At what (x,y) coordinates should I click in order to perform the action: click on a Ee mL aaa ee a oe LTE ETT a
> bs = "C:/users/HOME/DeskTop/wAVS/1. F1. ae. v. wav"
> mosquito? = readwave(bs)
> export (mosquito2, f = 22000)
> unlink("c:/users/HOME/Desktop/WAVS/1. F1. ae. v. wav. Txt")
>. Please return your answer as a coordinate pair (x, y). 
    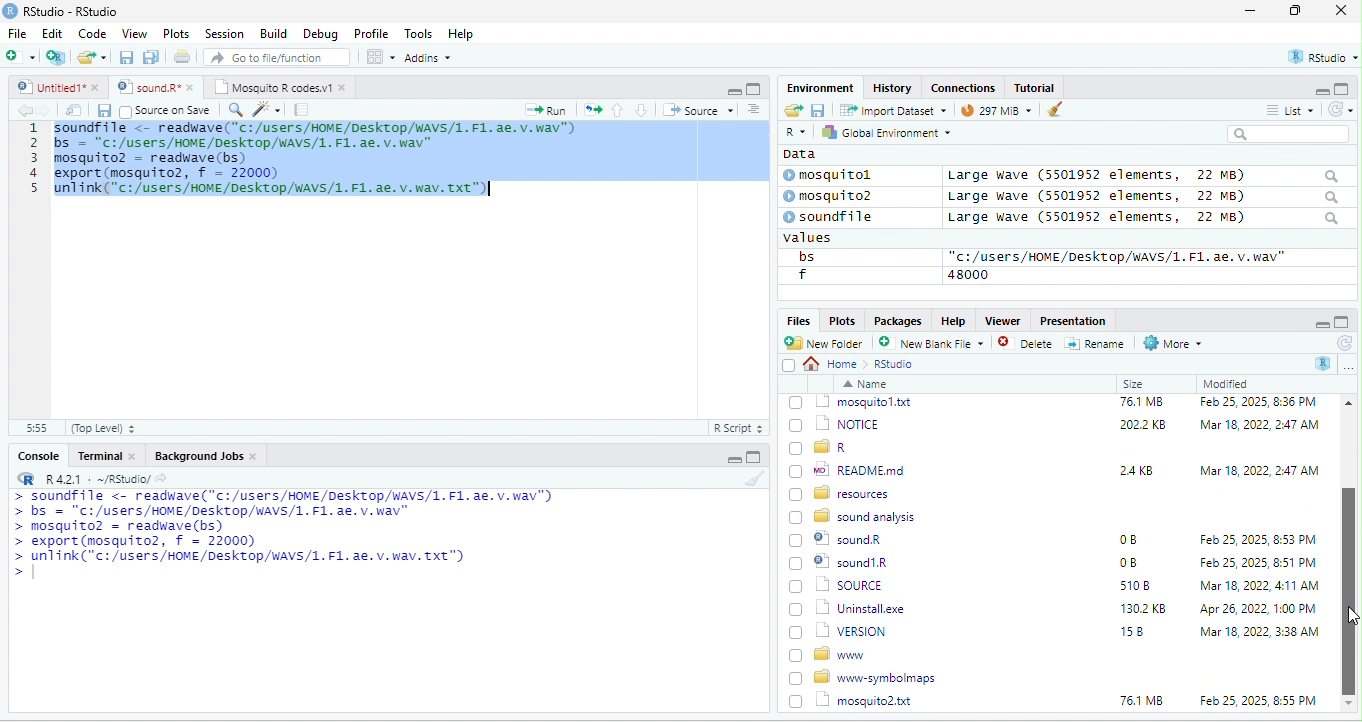
    Looking at the image, I should click on (315, 554).